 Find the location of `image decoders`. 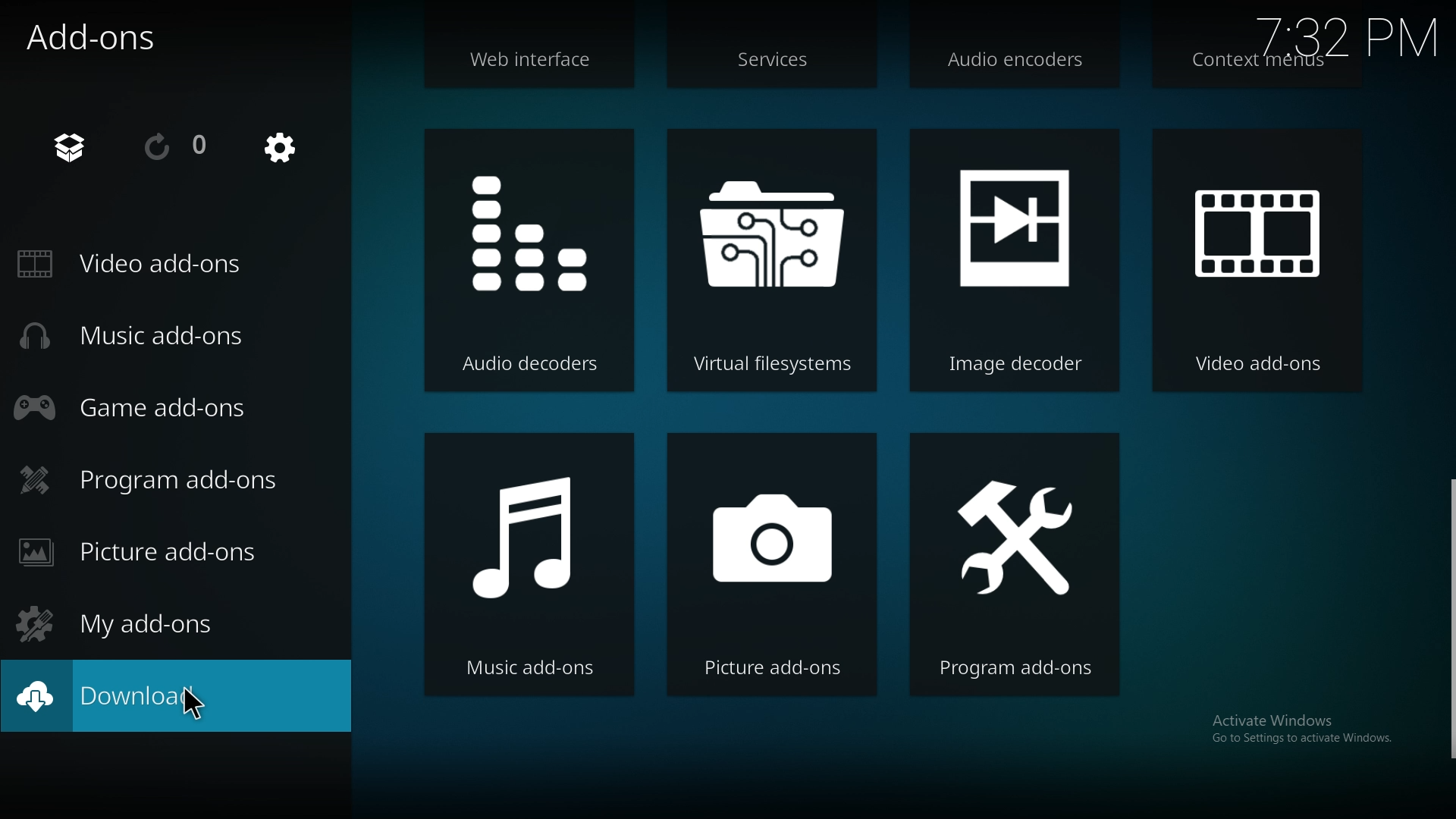

image decoders is located at coordinates (1013, 262).